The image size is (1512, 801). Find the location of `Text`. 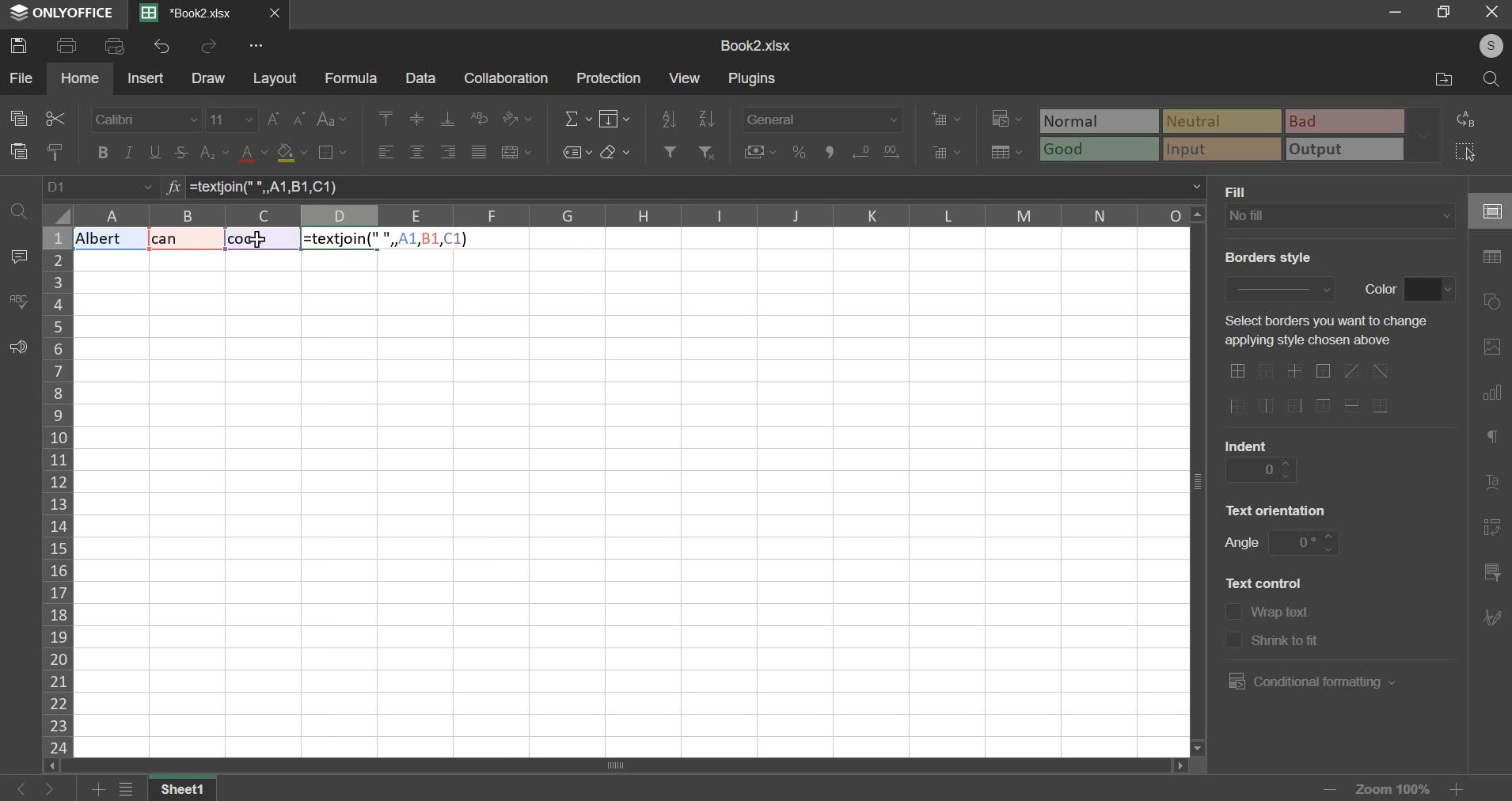

Text is located at coordinates (179, 240).